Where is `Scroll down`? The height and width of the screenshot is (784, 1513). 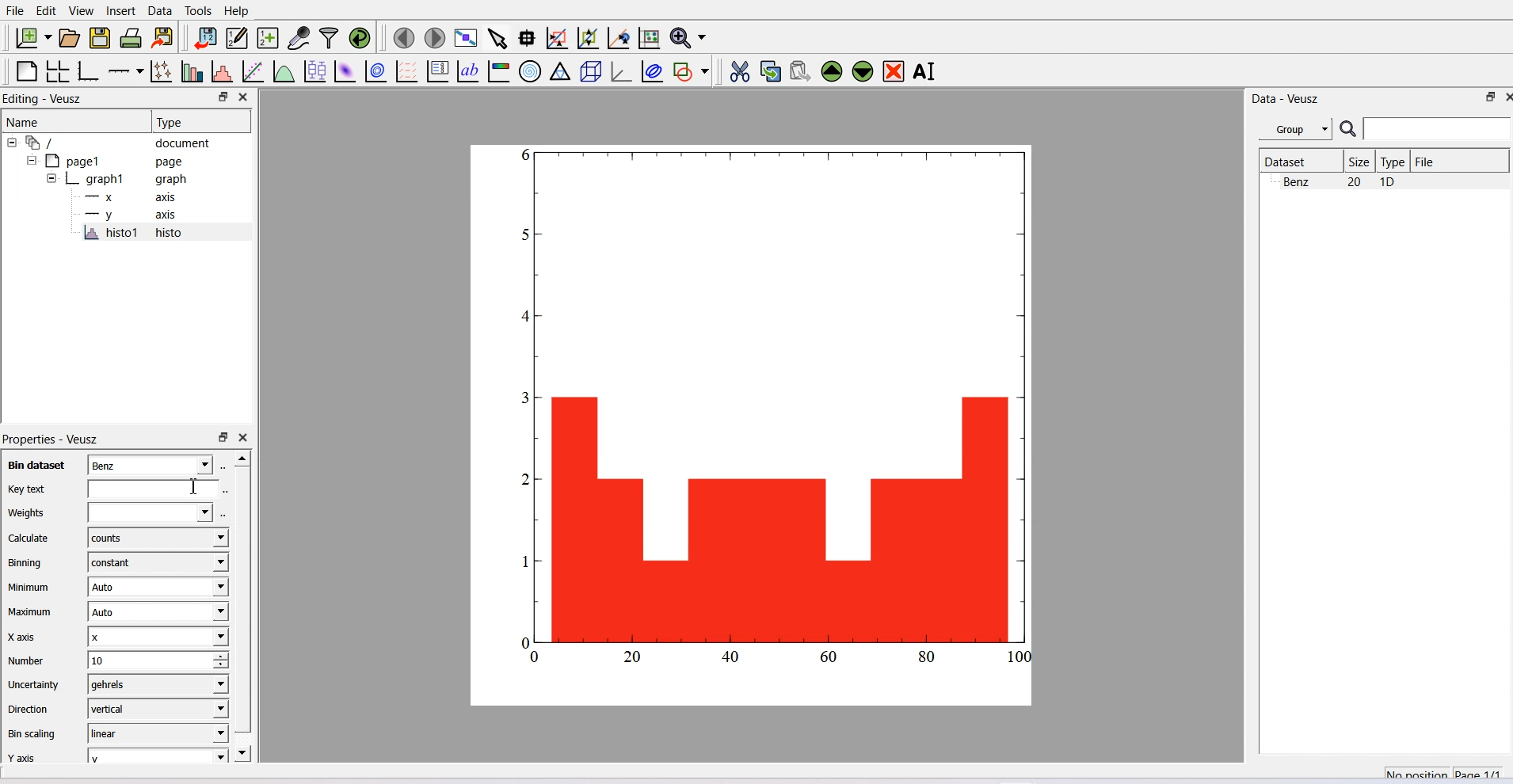
Scroll down is located at coordinates (244, 752).